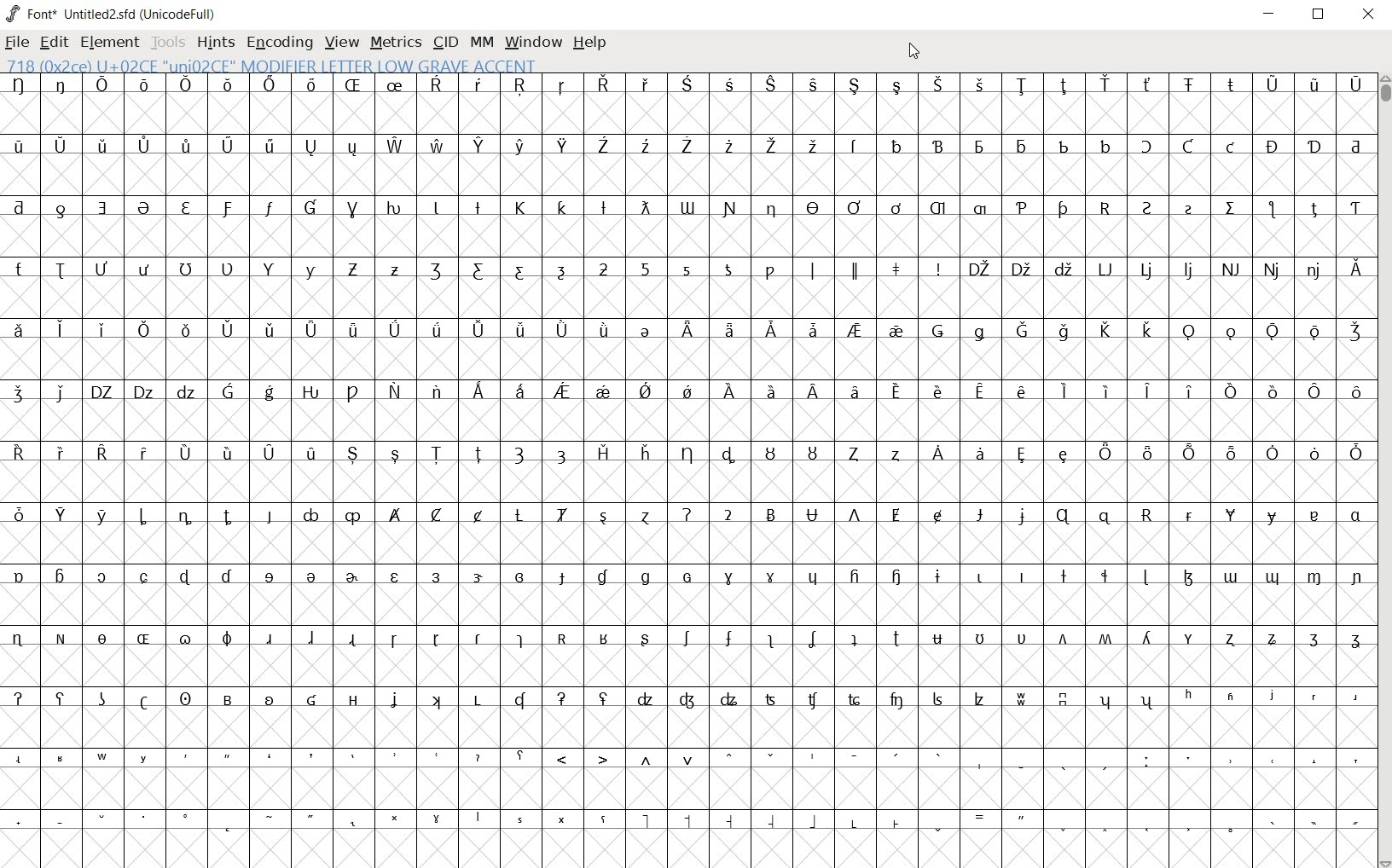 The image size is (1392, 868). Describe the element at coordinates (1383, 472) in the screenshot. I see `scrollbar` at that location.